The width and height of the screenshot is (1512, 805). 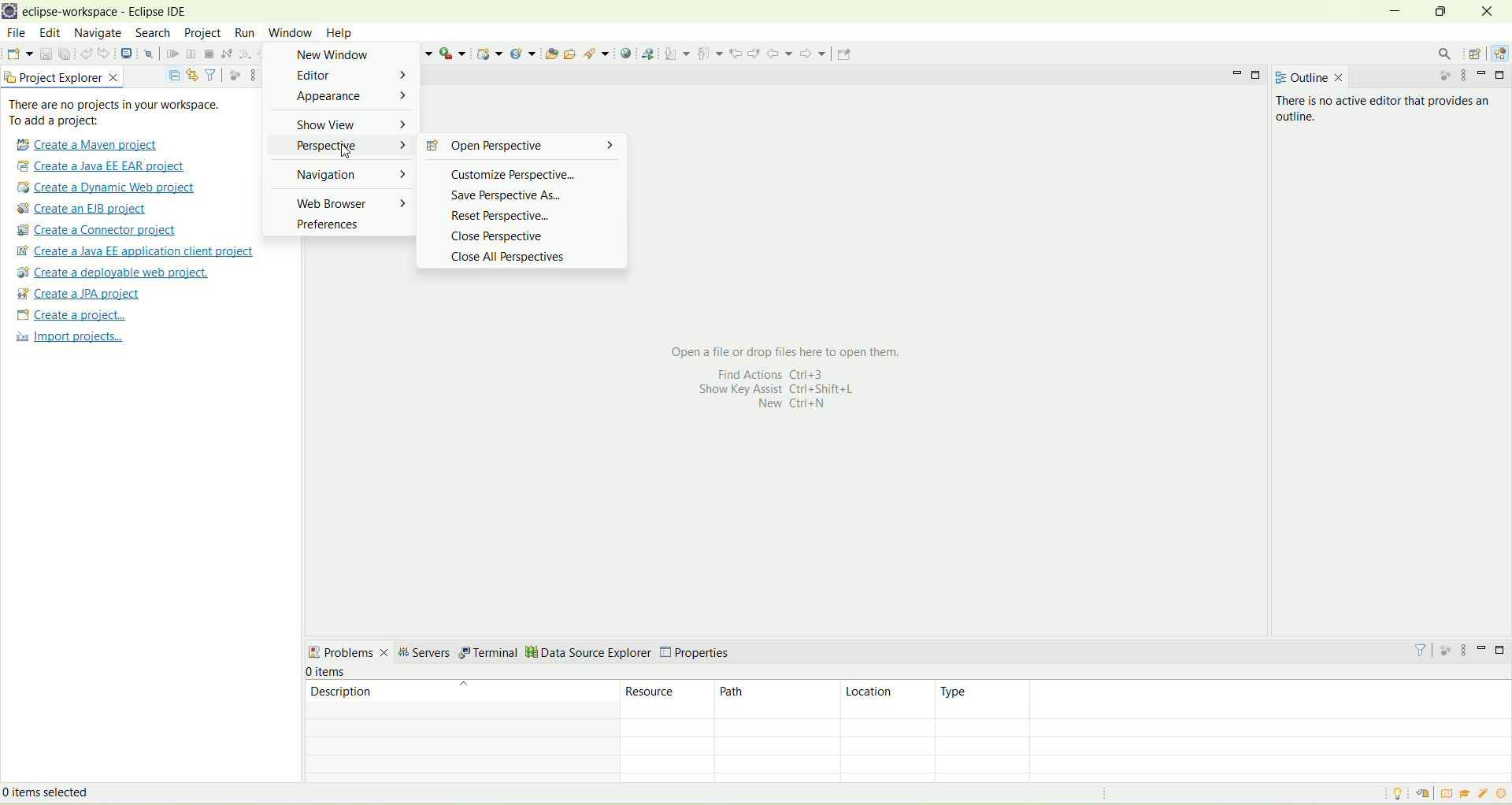 I want to click on servers, so click(x=423, y=655).